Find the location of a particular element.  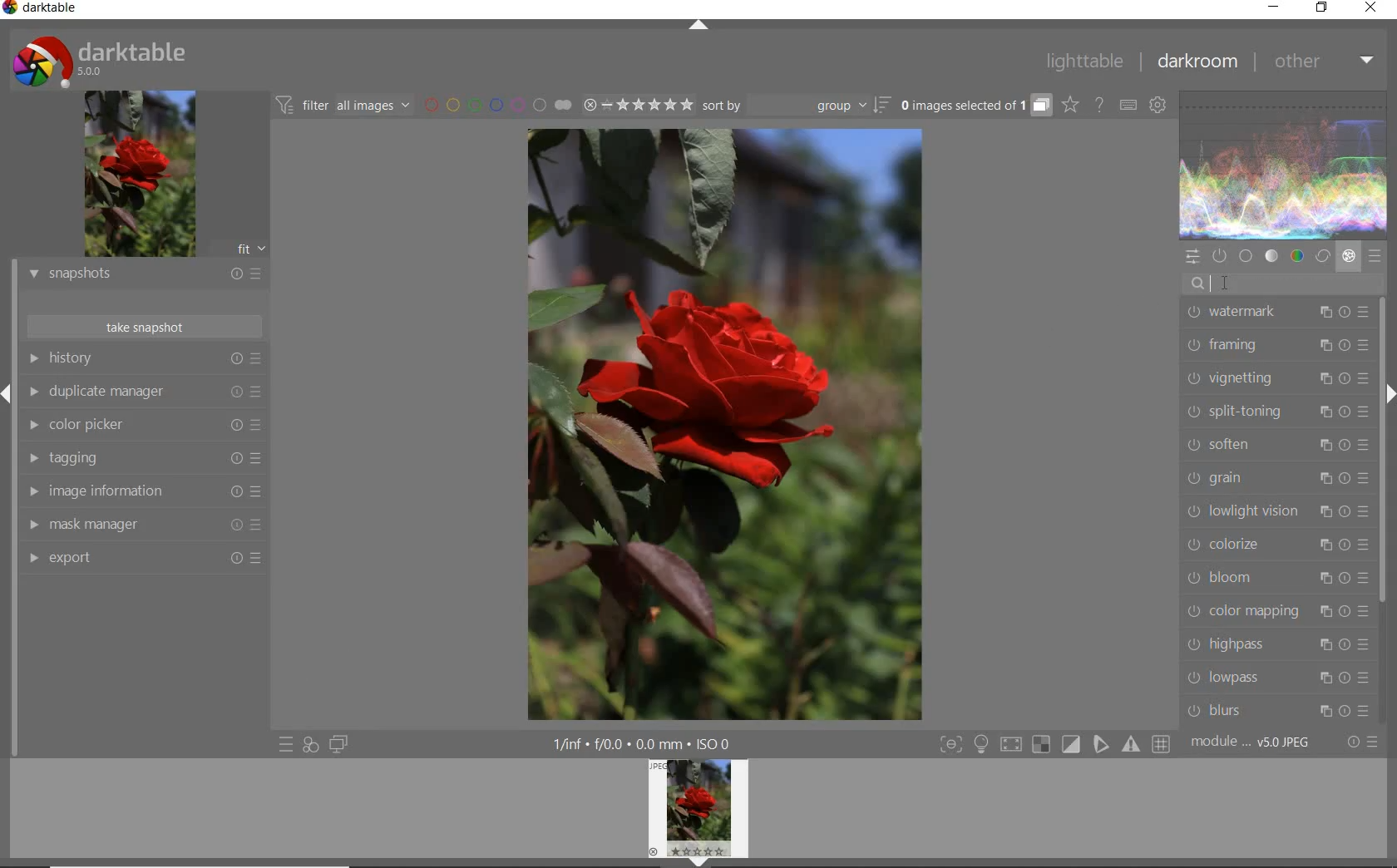

Expand/Collapse is located at coordinates (8, 392).